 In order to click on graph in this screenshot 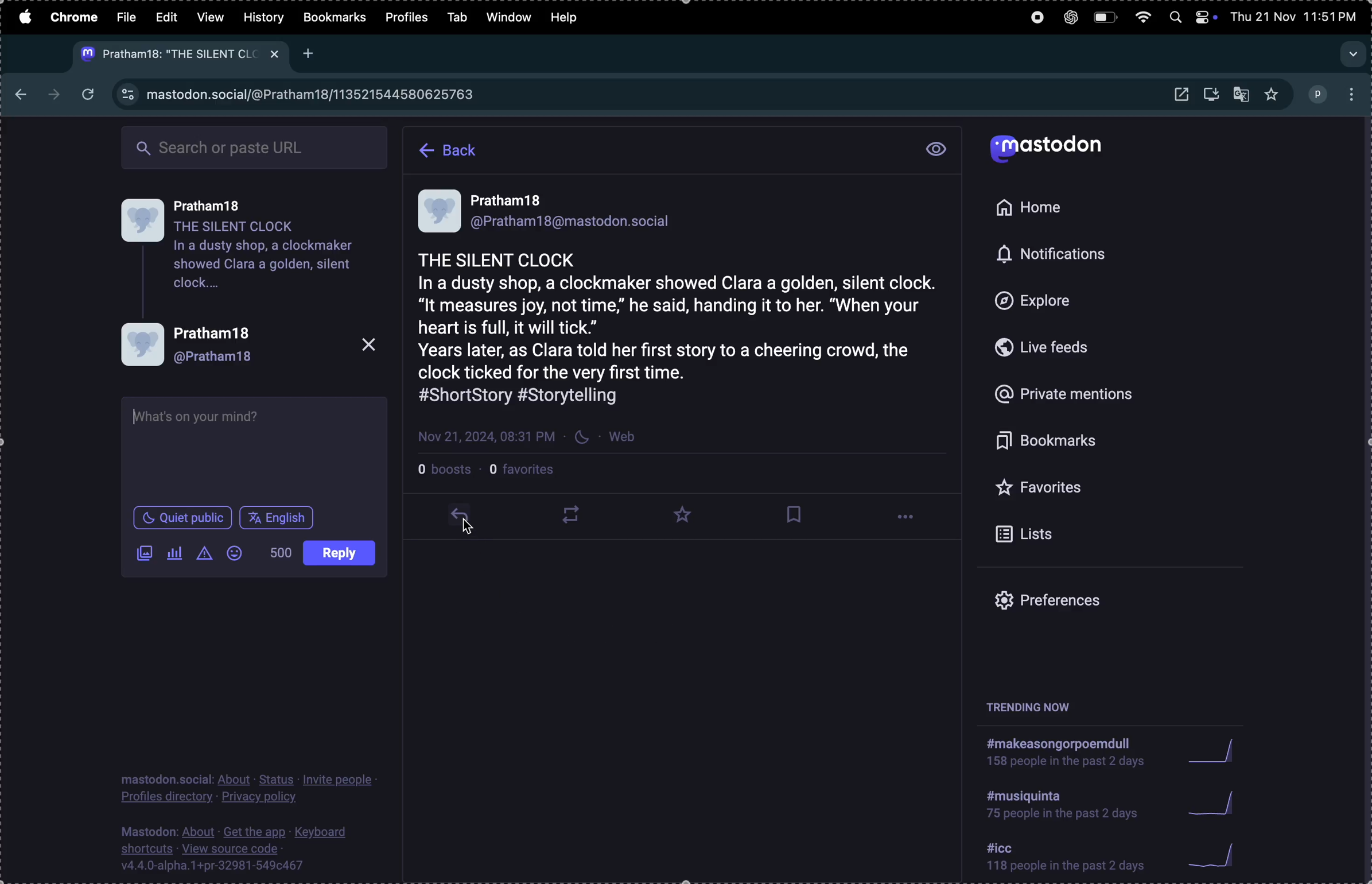, I will do `click(1219, 855)`.